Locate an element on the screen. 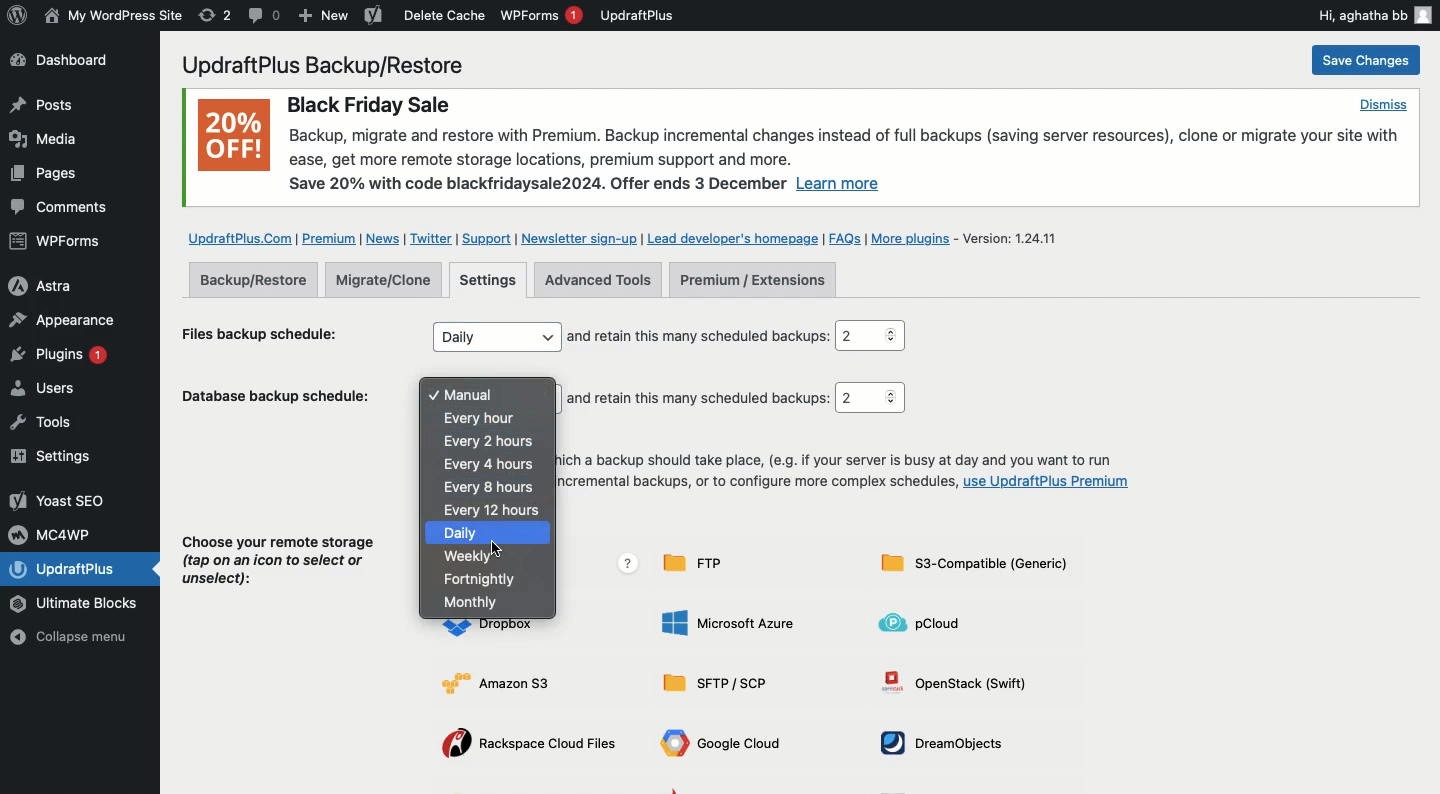 The height and width of the screenshot is (794, 1440). Posts is located at coordinates (40, 105).